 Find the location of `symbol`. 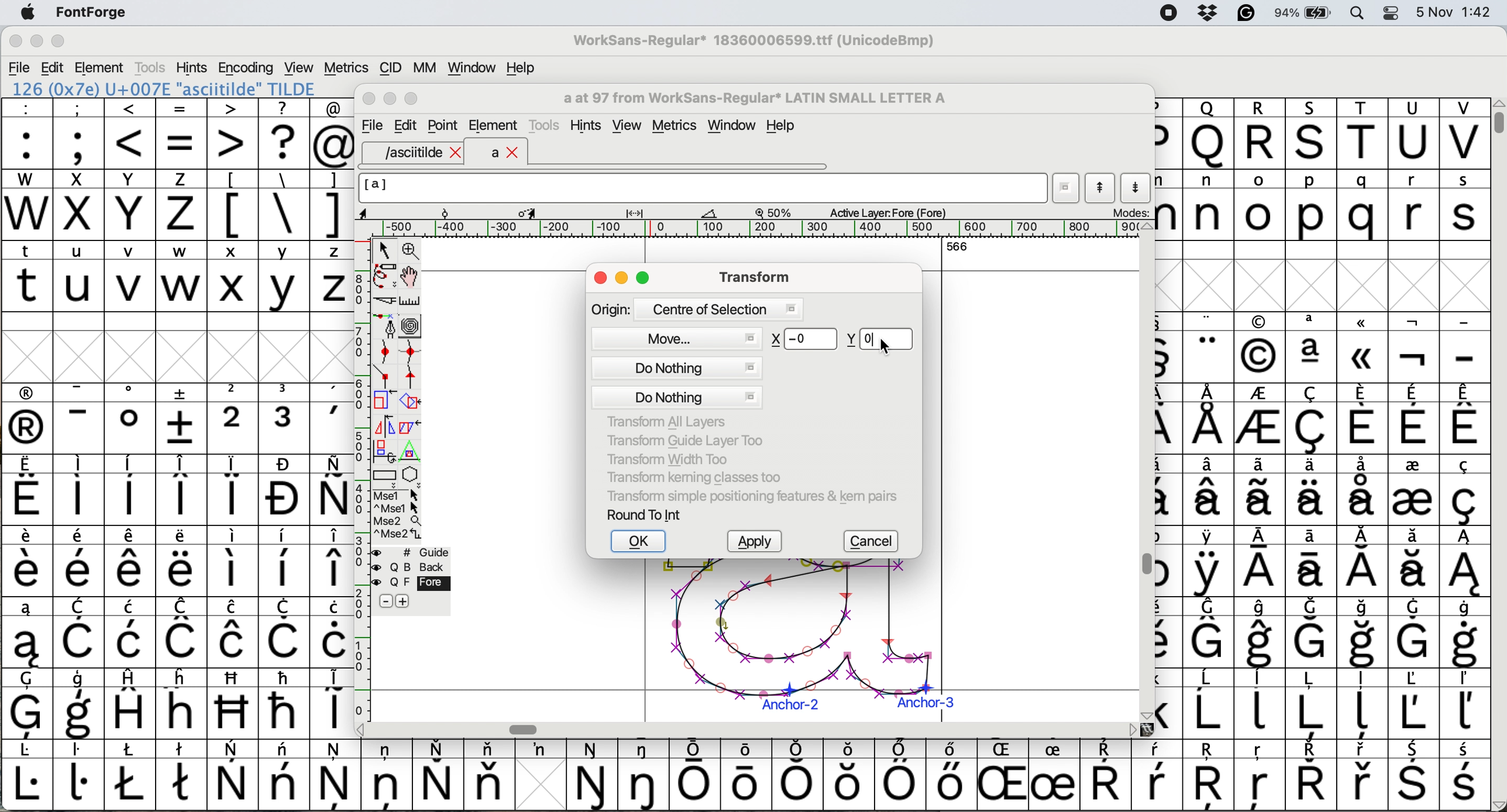

symbol is located at coordinates (1463, 490).